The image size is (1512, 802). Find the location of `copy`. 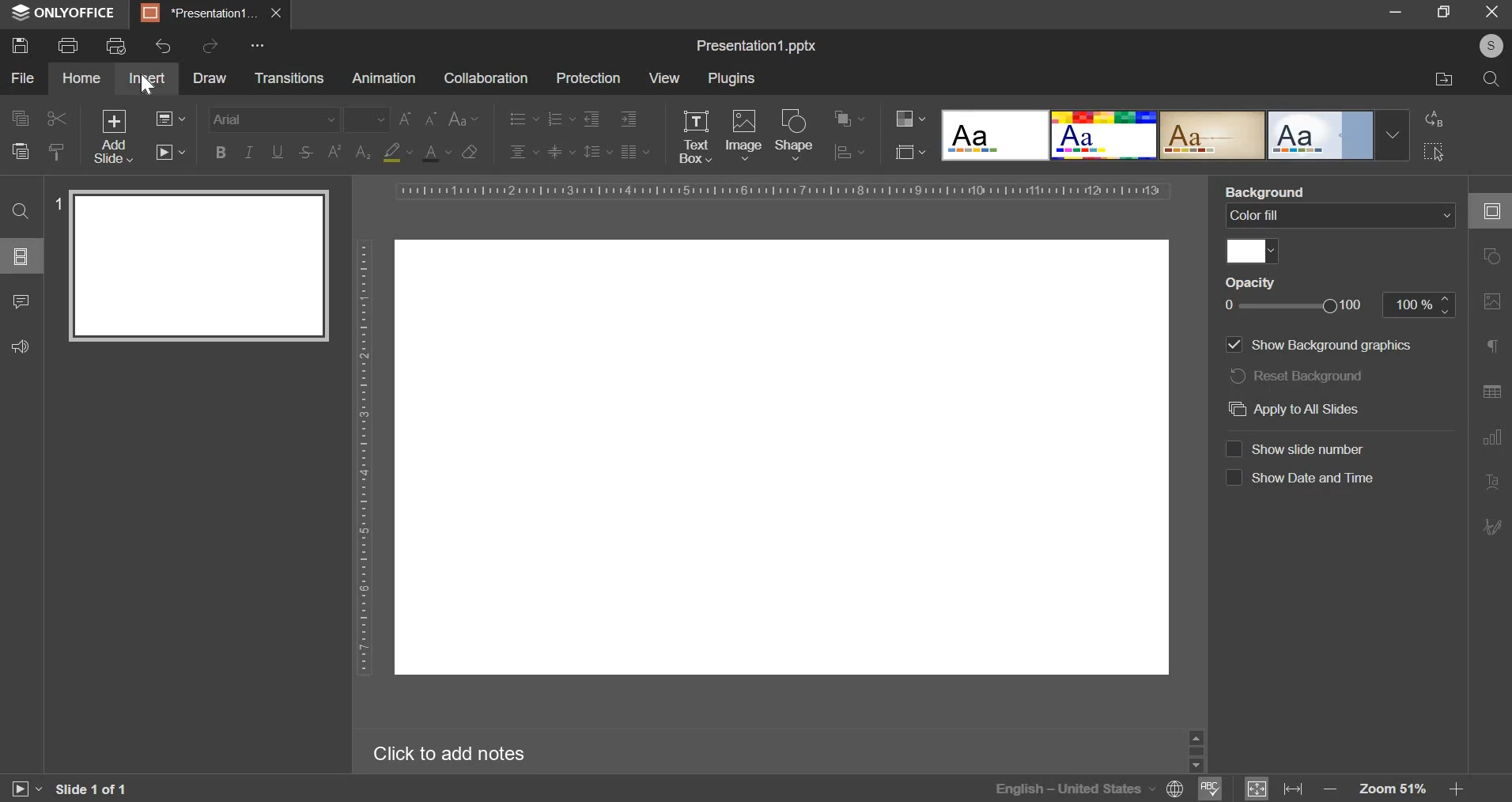

copy is located at coordinates (19, 119).